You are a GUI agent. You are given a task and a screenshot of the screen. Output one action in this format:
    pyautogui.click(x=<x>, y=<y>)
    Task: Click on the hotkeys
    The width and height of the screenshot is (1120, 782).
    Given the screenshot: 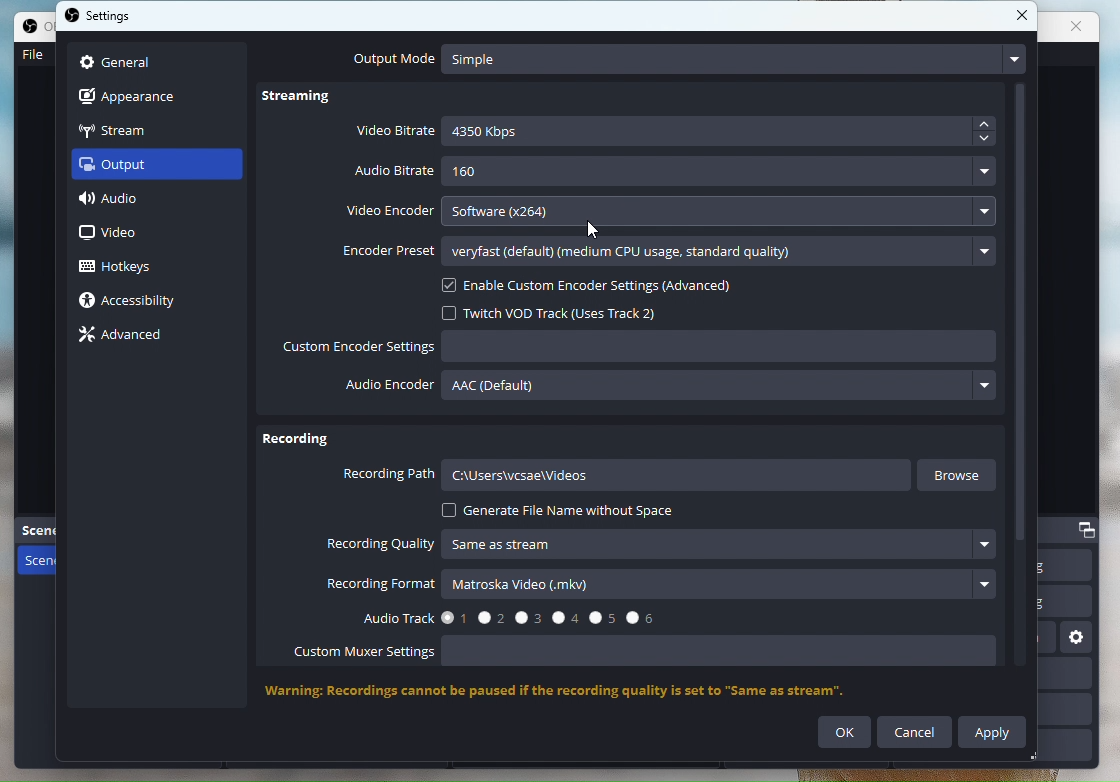 What is the action you would take?
    pyautogui.click(x=131, y=264)
    